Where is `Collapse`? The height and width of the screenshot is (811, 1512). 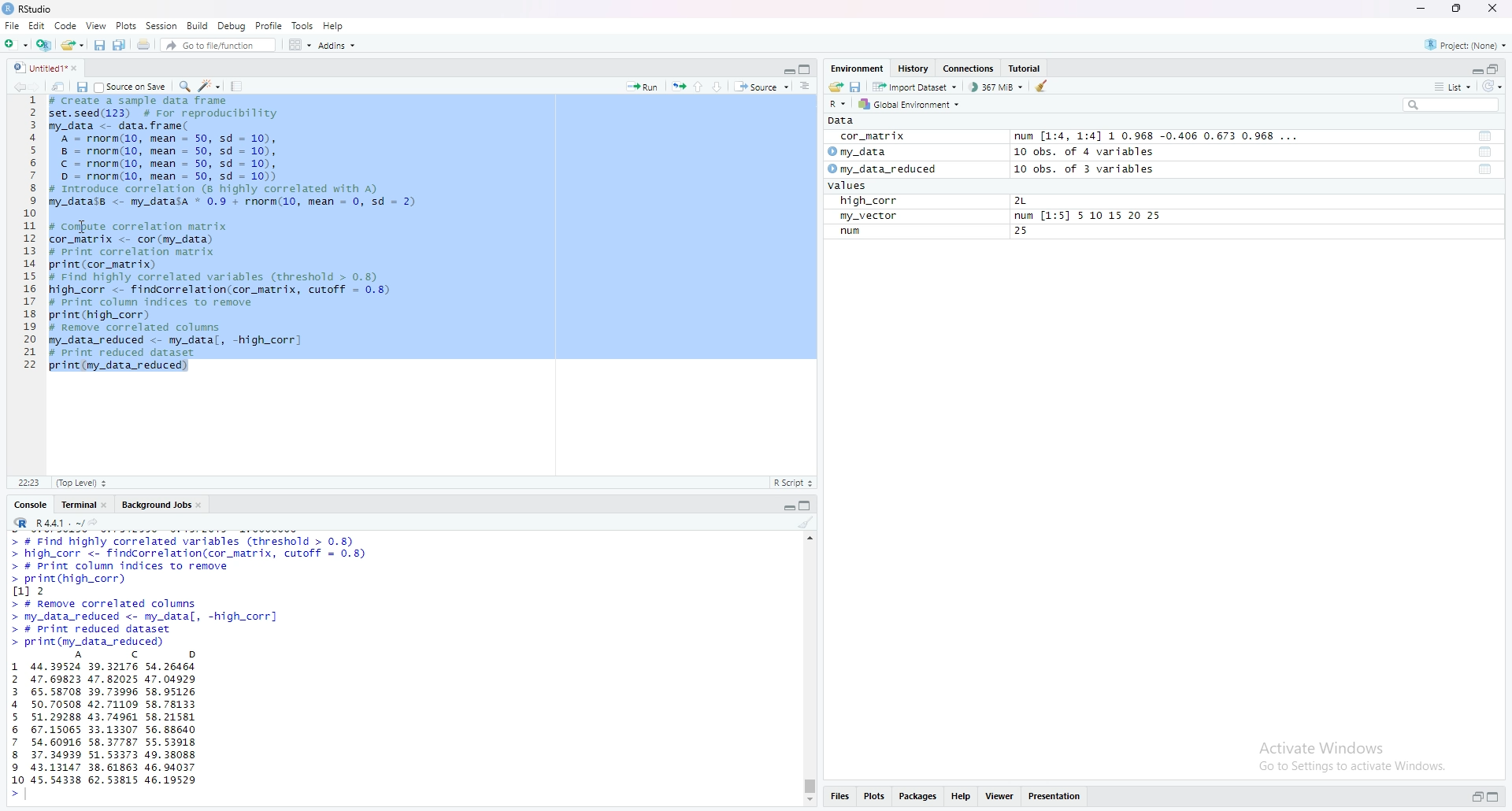
Collapse is located at coordinates (1473, 70).